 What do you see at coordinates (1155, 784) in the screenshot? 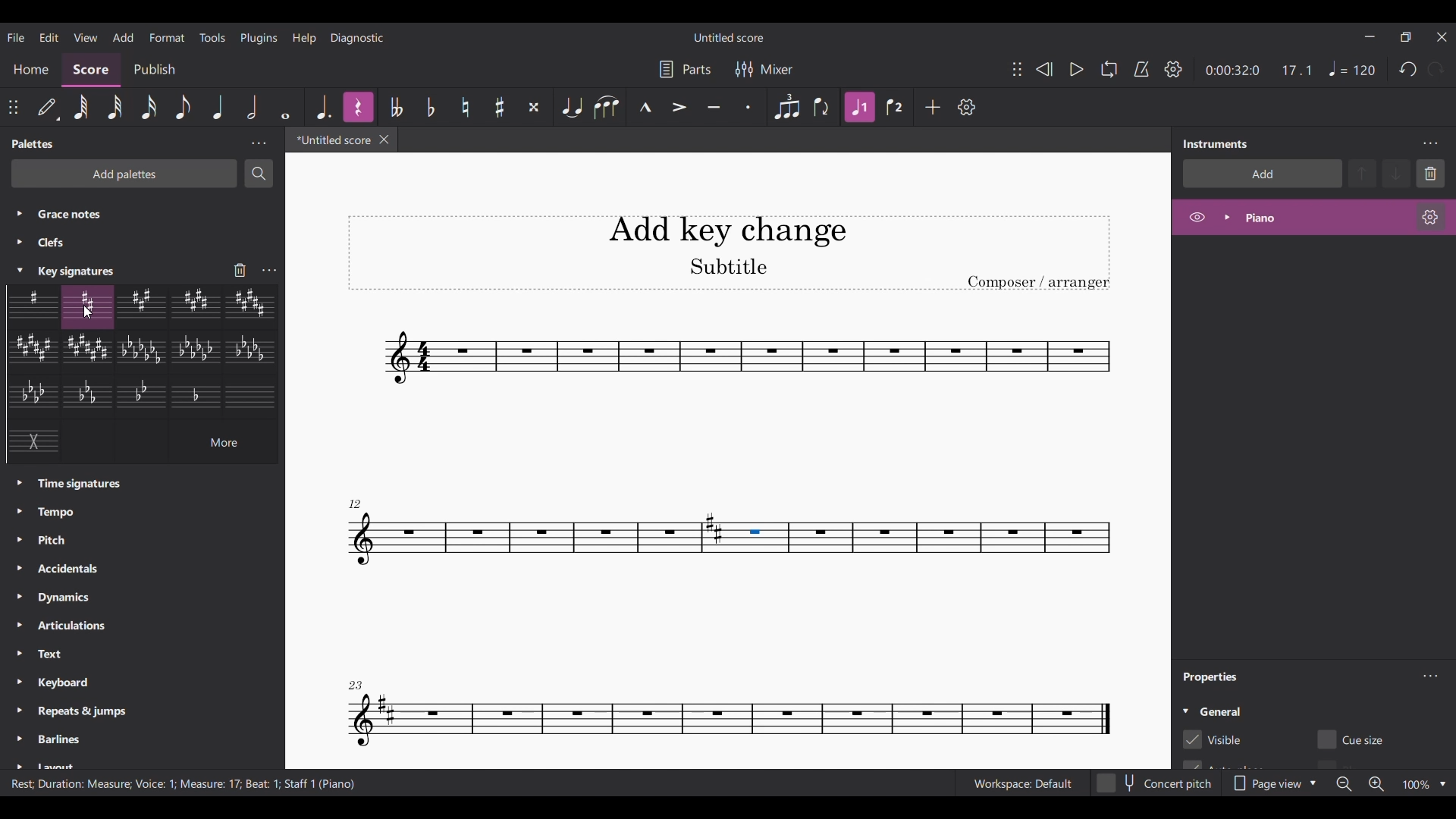
I see `Concert pitch toggle` at bounding box center [1155, 784].